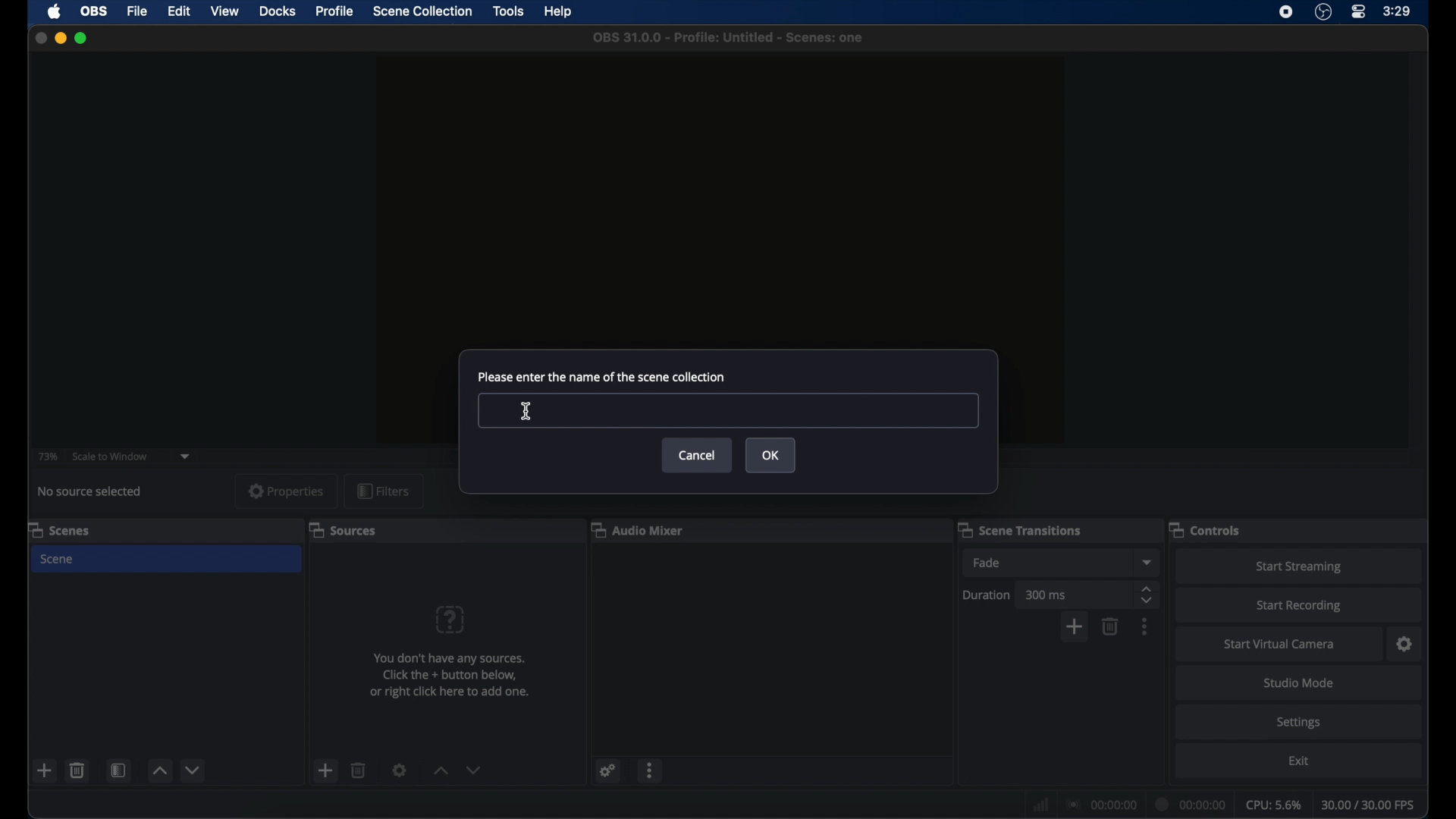  I want to click on minimize, so click(60, 38).